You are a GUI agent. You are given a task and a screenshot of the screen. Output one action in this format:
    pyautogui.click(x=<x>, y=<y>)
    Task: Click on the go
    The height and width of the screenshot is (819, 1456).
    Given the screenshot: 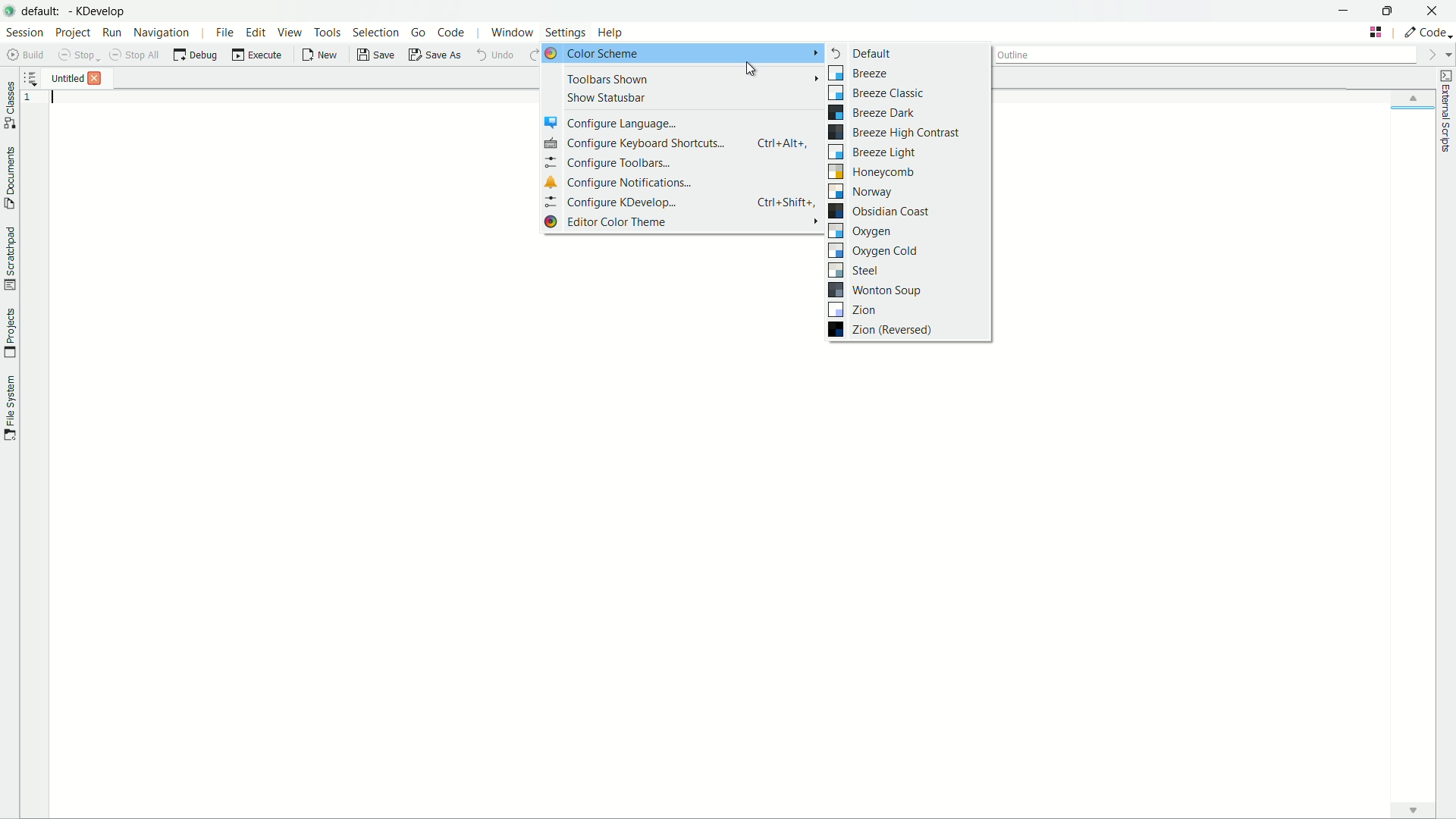 What is the action you would take?
    pyautogui.click(x=420, y=32)
    